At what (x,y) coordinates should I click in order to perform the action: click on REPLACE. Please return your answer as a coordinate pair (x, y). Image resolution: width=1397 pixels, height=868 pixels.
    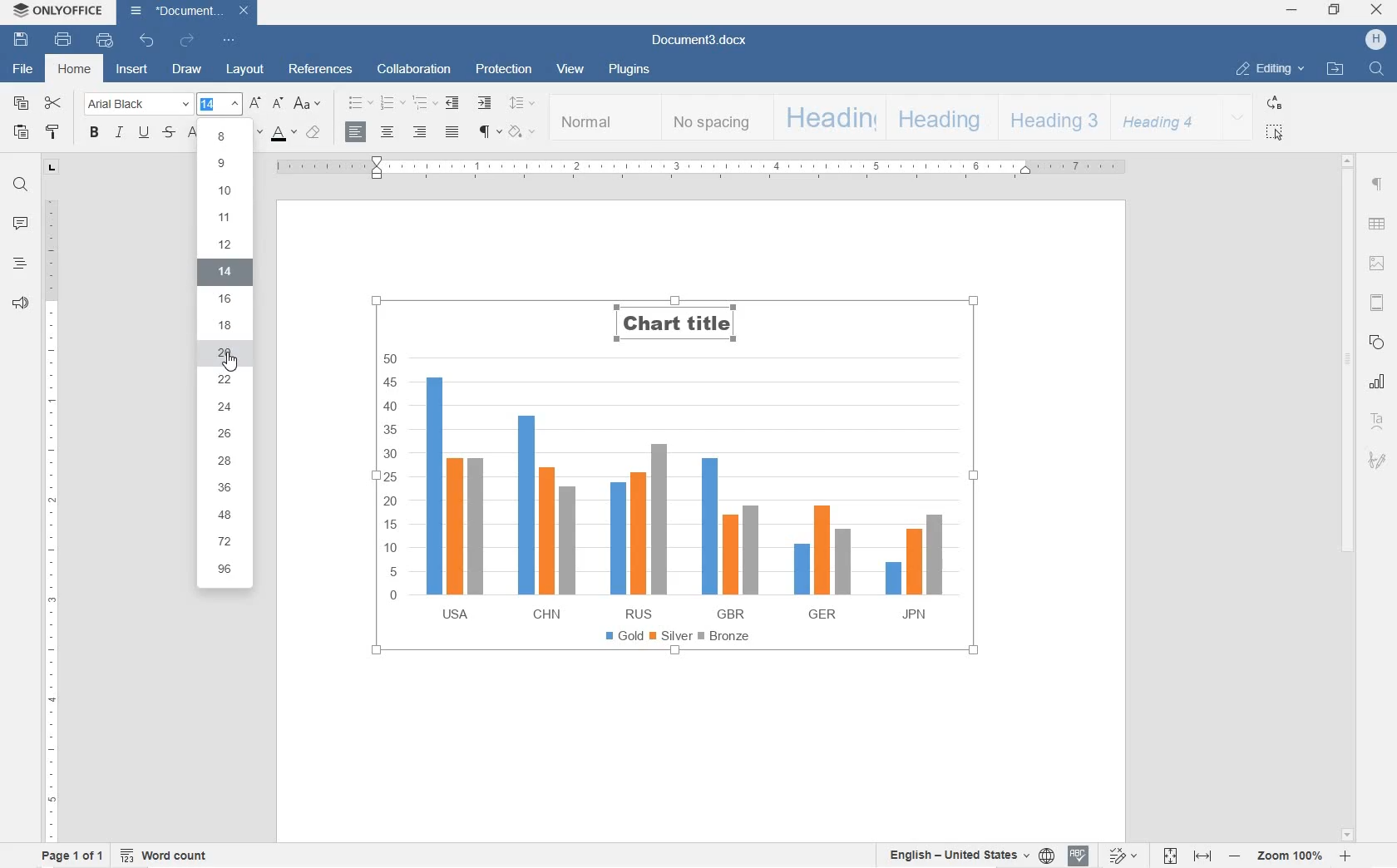
    Looking at the image, I should click on (1272, 102).